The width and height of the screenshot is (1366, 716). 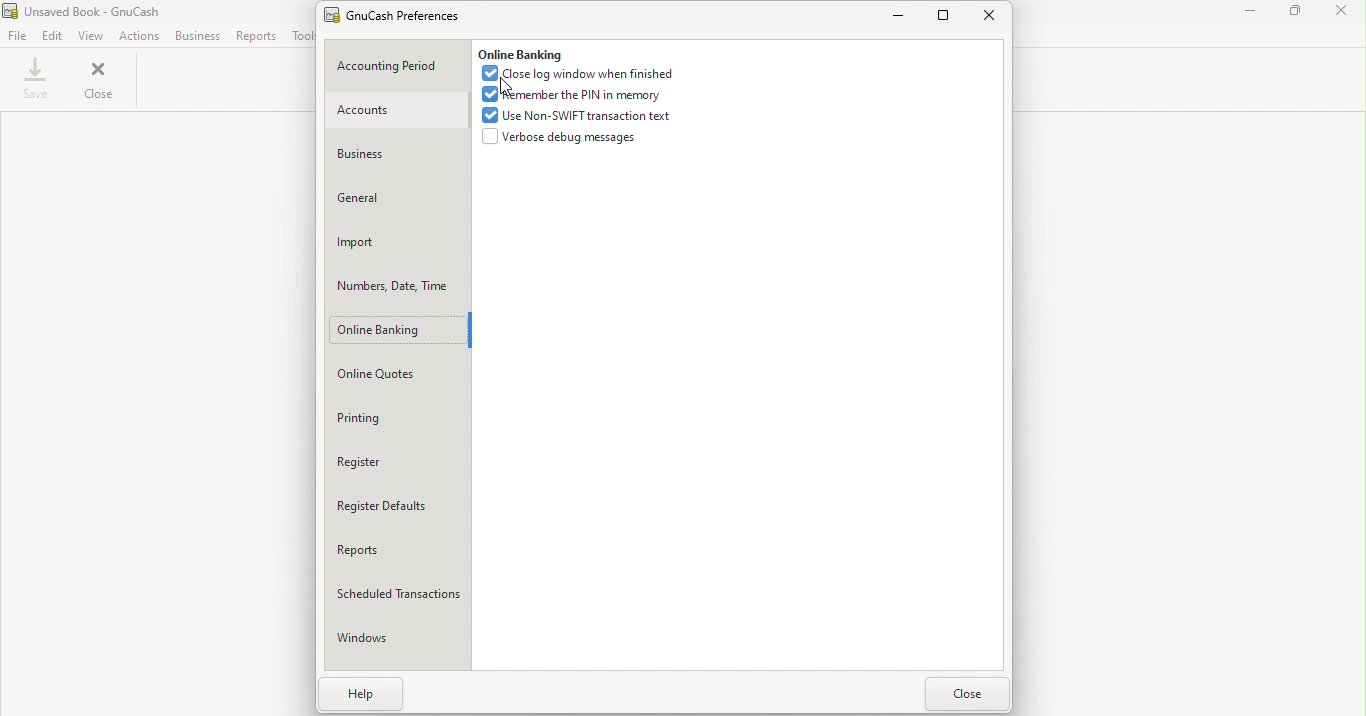 What do you see at coordinates (397, 332) in the screenshot?
I see `Online banking` at bounding box center [397, 332].